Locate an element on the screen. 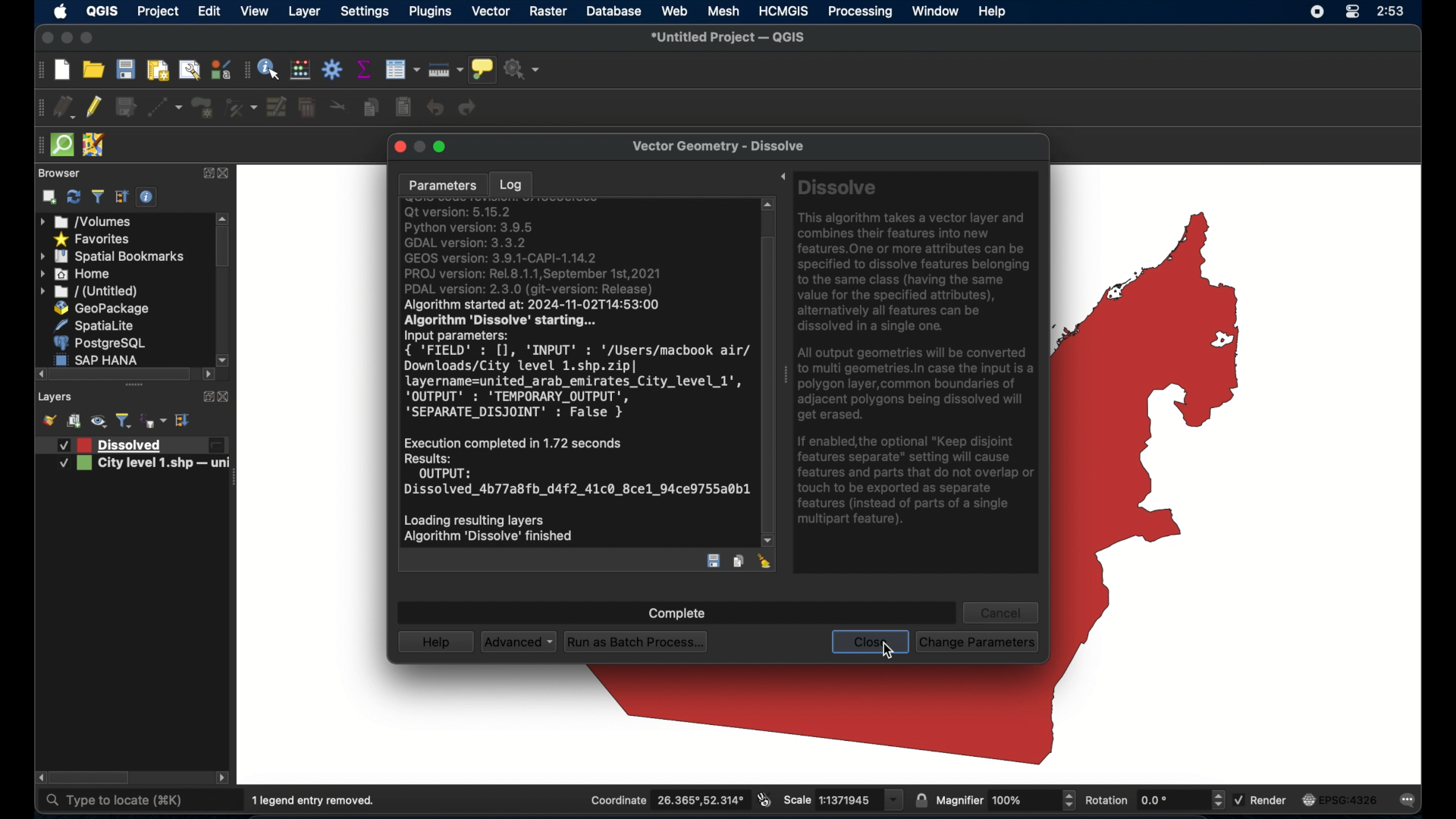 This screenshot has width=1456, height=819. mesh is located at coordinates (723, 12).